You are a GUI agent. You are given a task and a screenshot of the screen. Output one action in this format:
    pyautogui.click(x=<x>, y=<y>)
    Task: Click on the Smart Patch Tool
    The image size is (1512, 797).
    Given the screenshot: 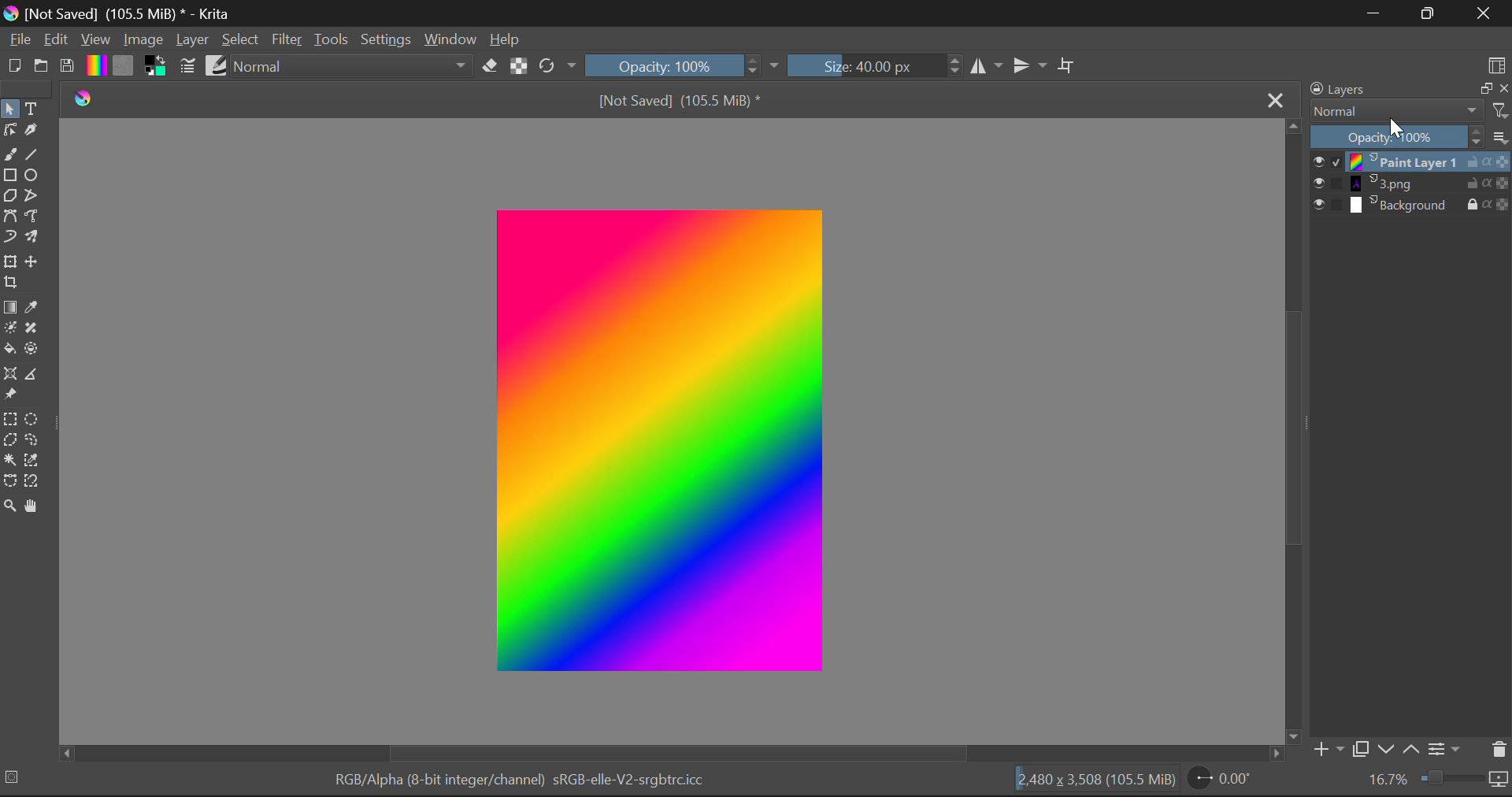 What is the action you would take?
    pyautogui.click(x=31, y=329)
    